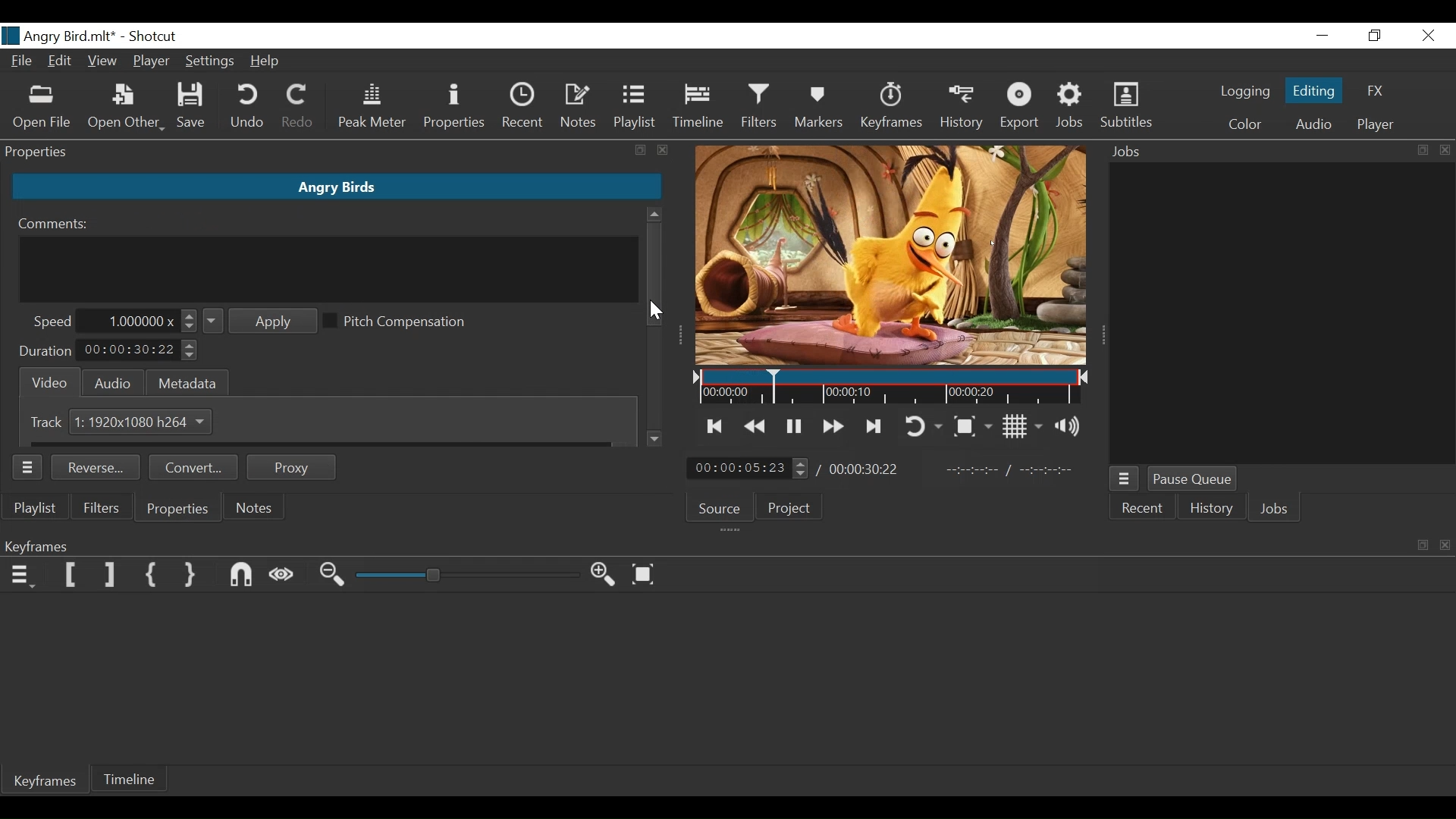 This screenshot has width=1456, height=819. What do you see at coordinates (793, 425) in the screenshot?
I see `Toggle play or pause (space)` at bounding box center [793, 425].